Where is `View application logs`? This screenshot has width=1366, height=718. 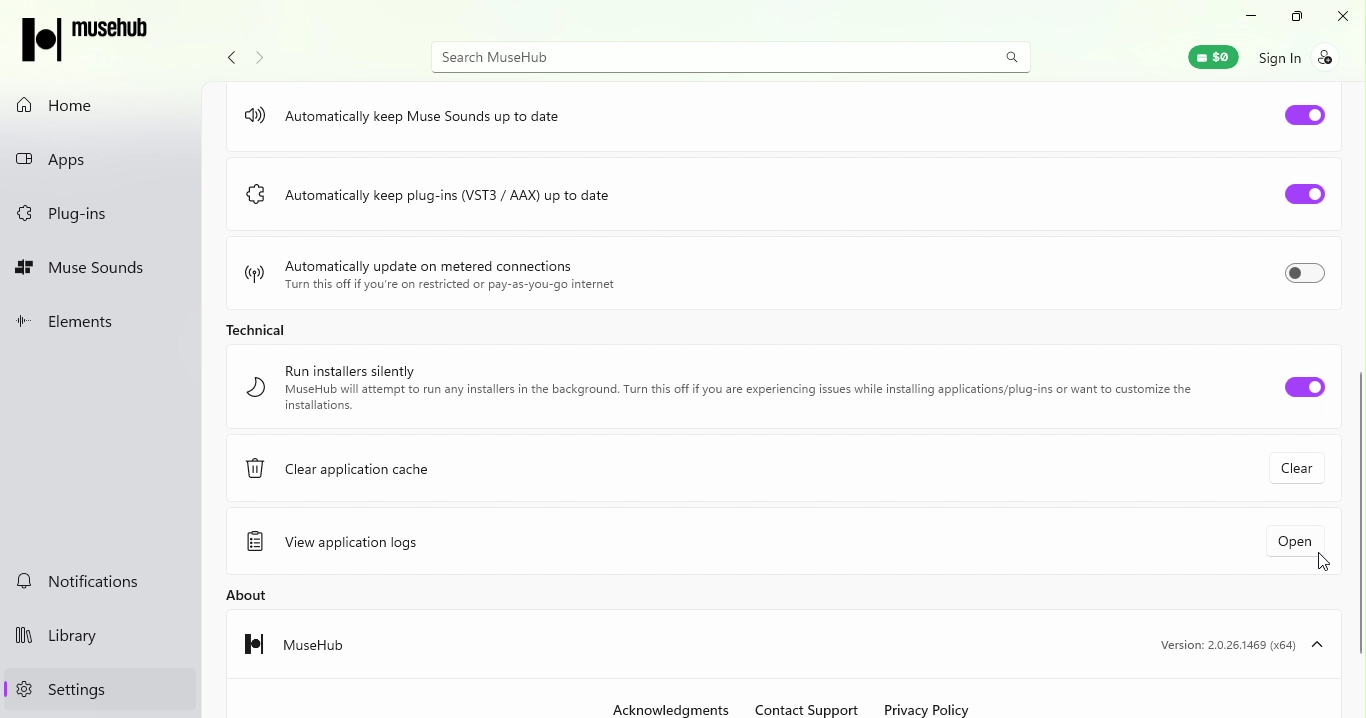
View application logs is located at coordinates (348, 545).